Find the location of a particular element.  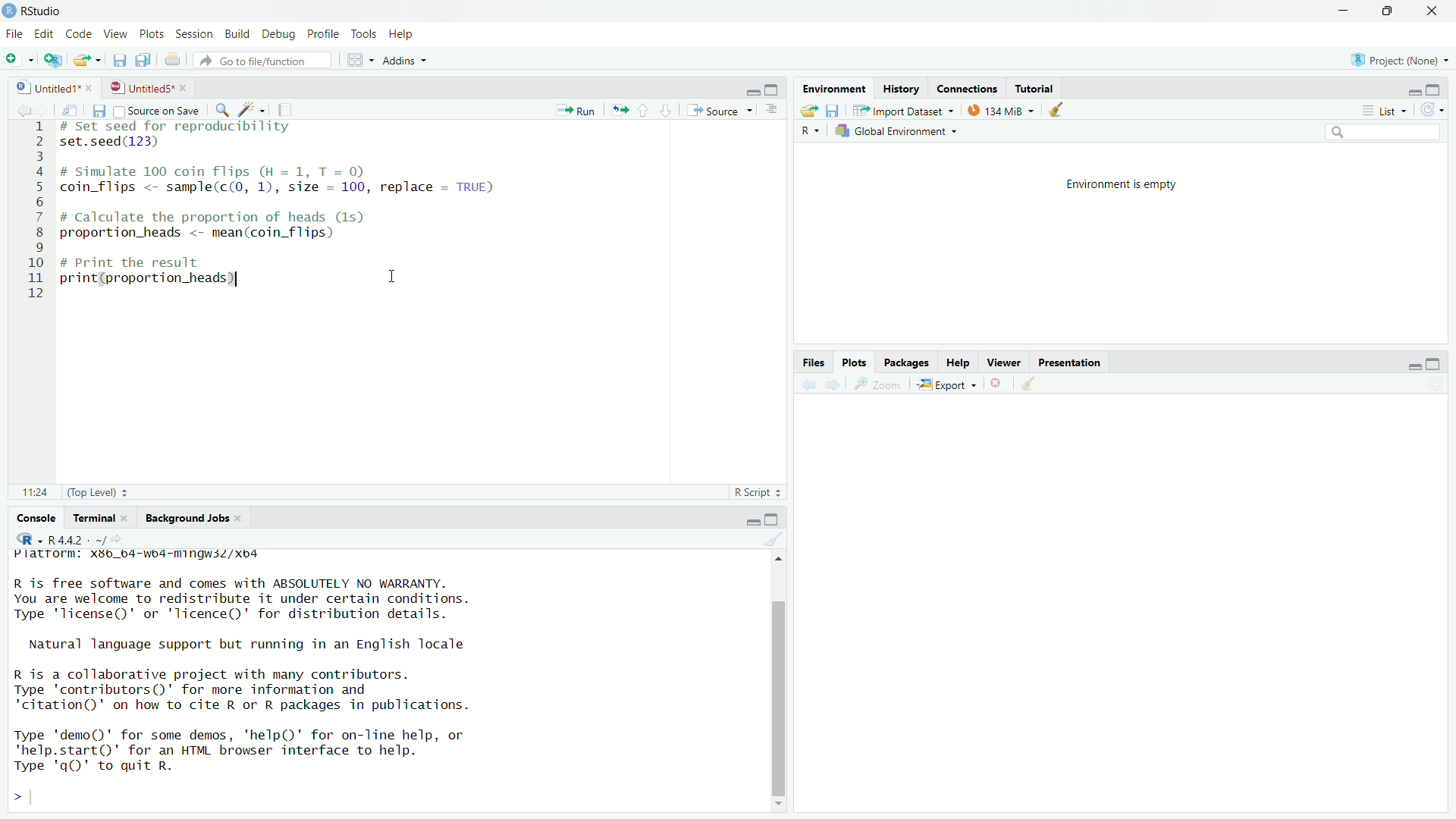

create a project is located at coordinates (50, 60).